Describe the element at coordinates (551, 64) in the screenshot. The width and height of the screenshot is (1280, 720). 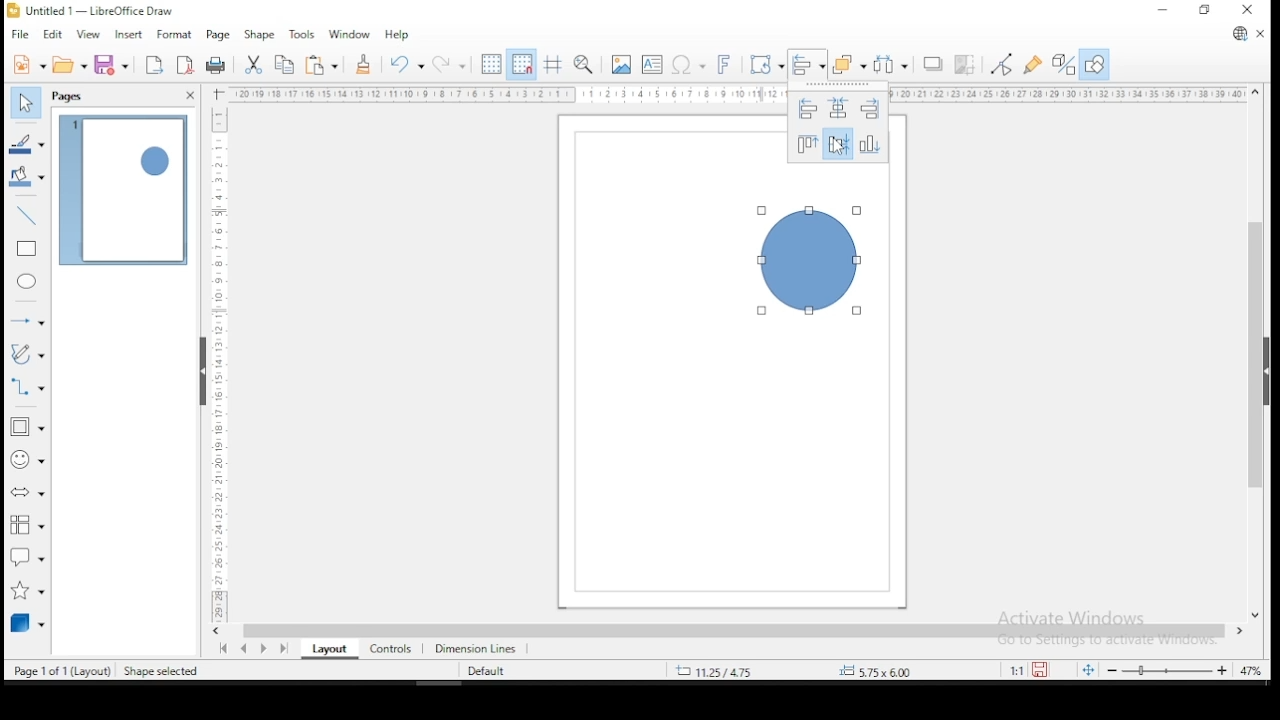
I see `helplines when moving` at that location.